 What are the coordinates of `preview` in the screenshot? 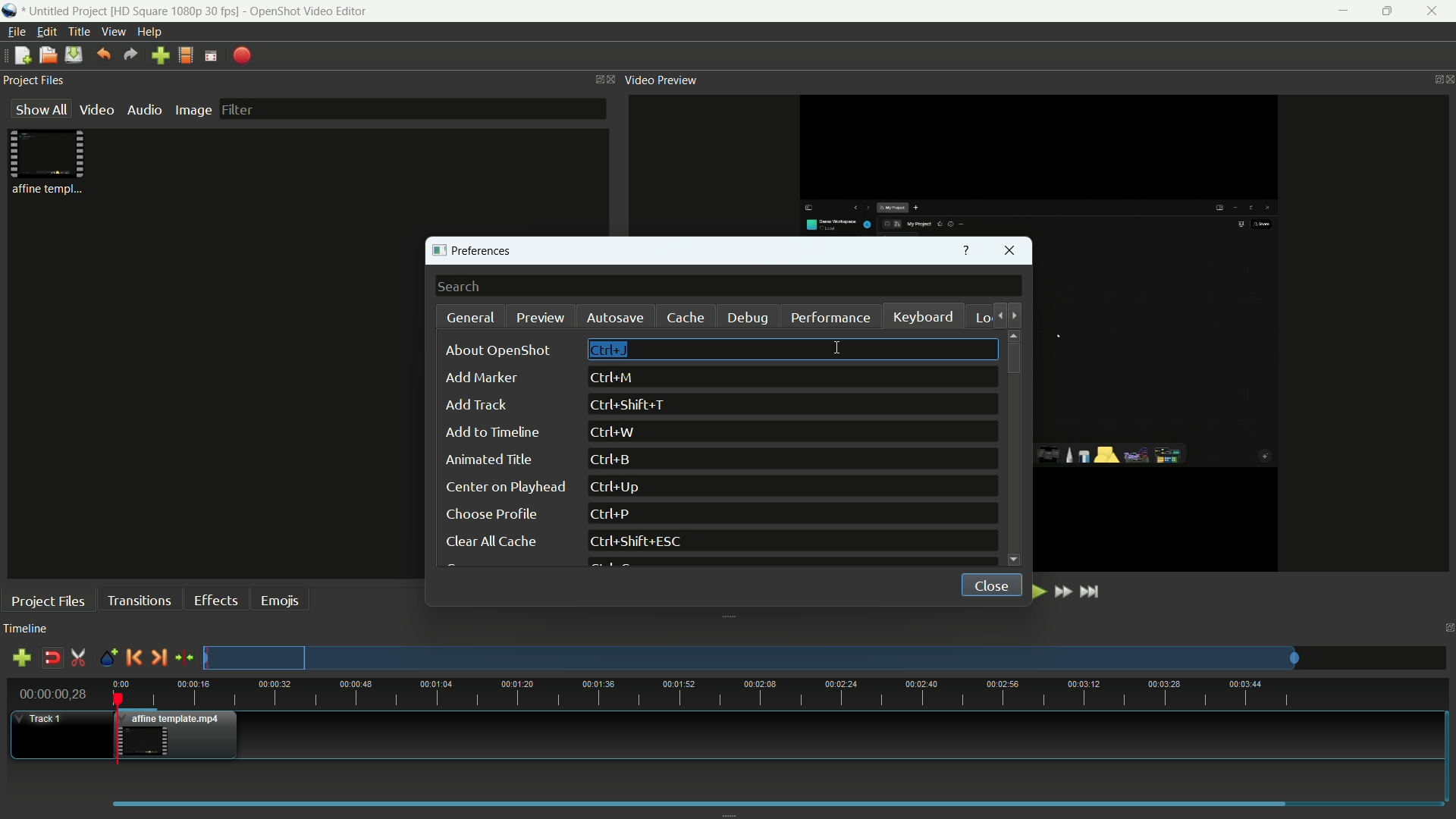 It's located at (541, 317).